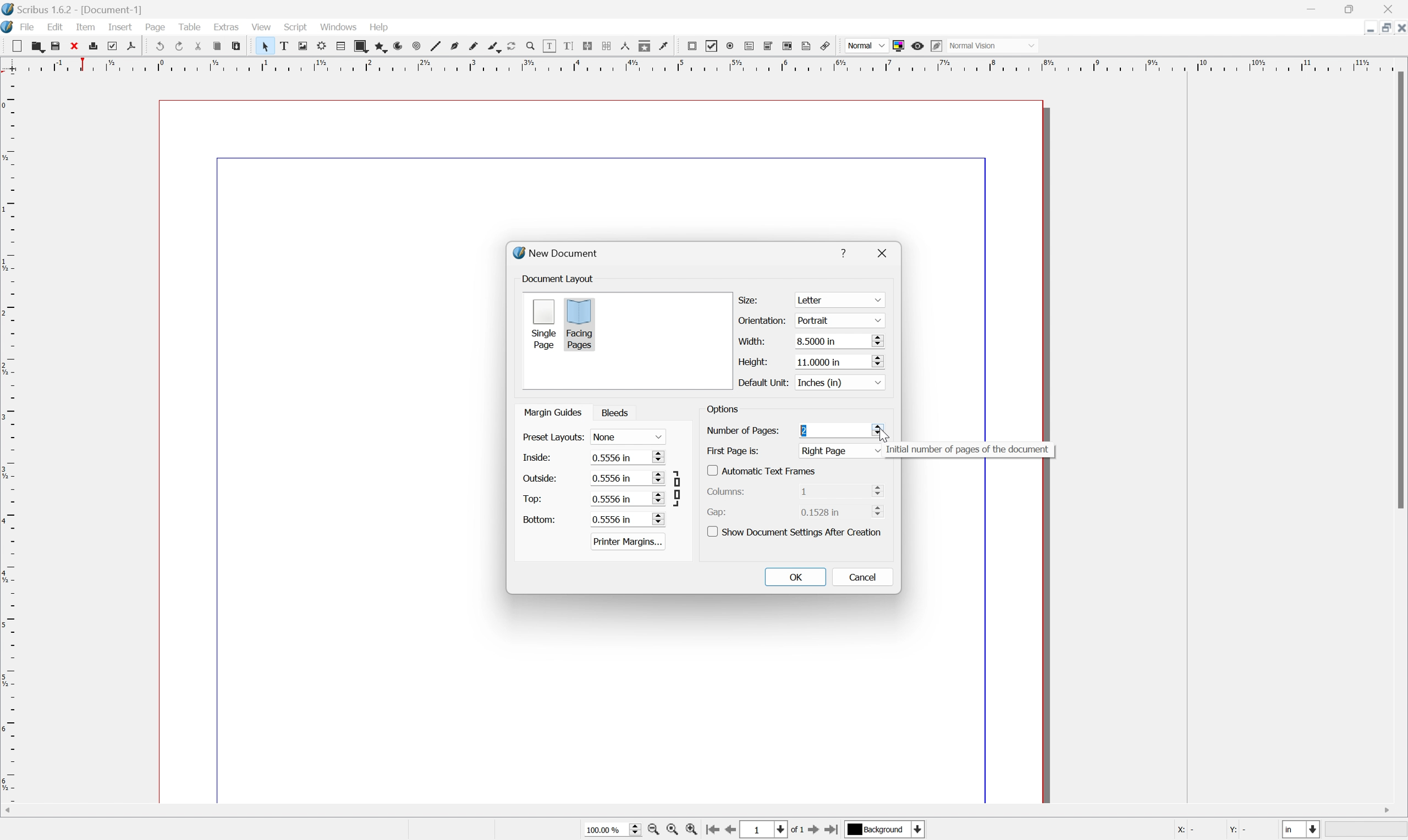  I want to click on Line, so click(433, 46).